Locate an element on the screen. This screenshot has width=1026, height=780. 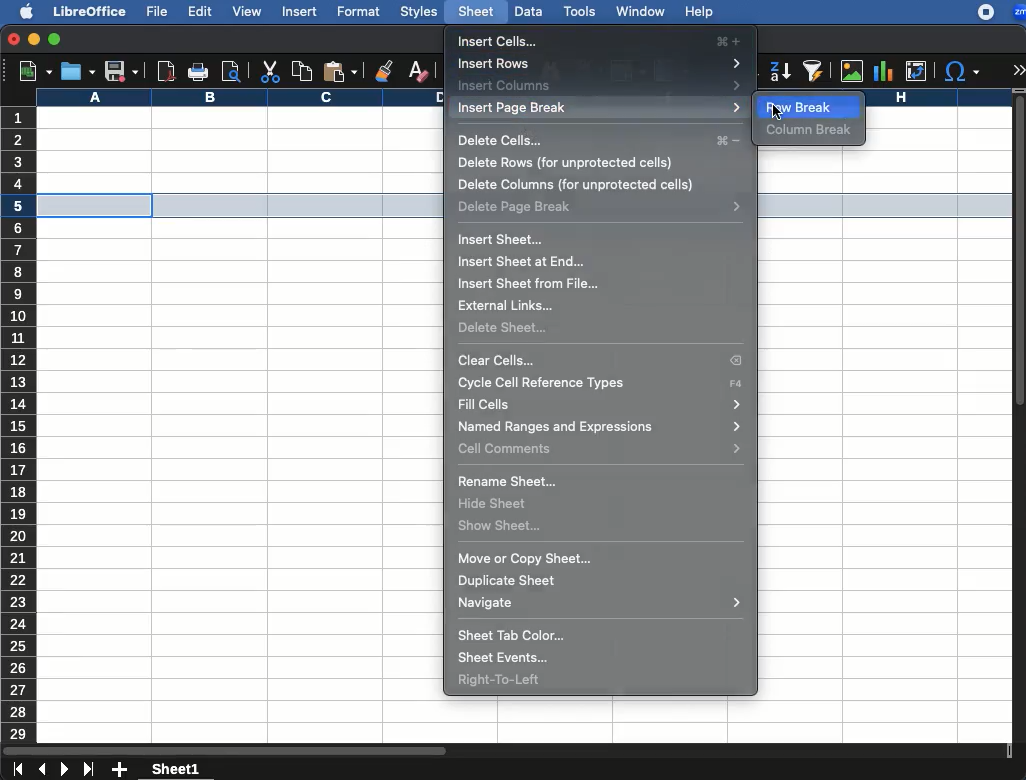
expand is located at coordinates (1019, 66).